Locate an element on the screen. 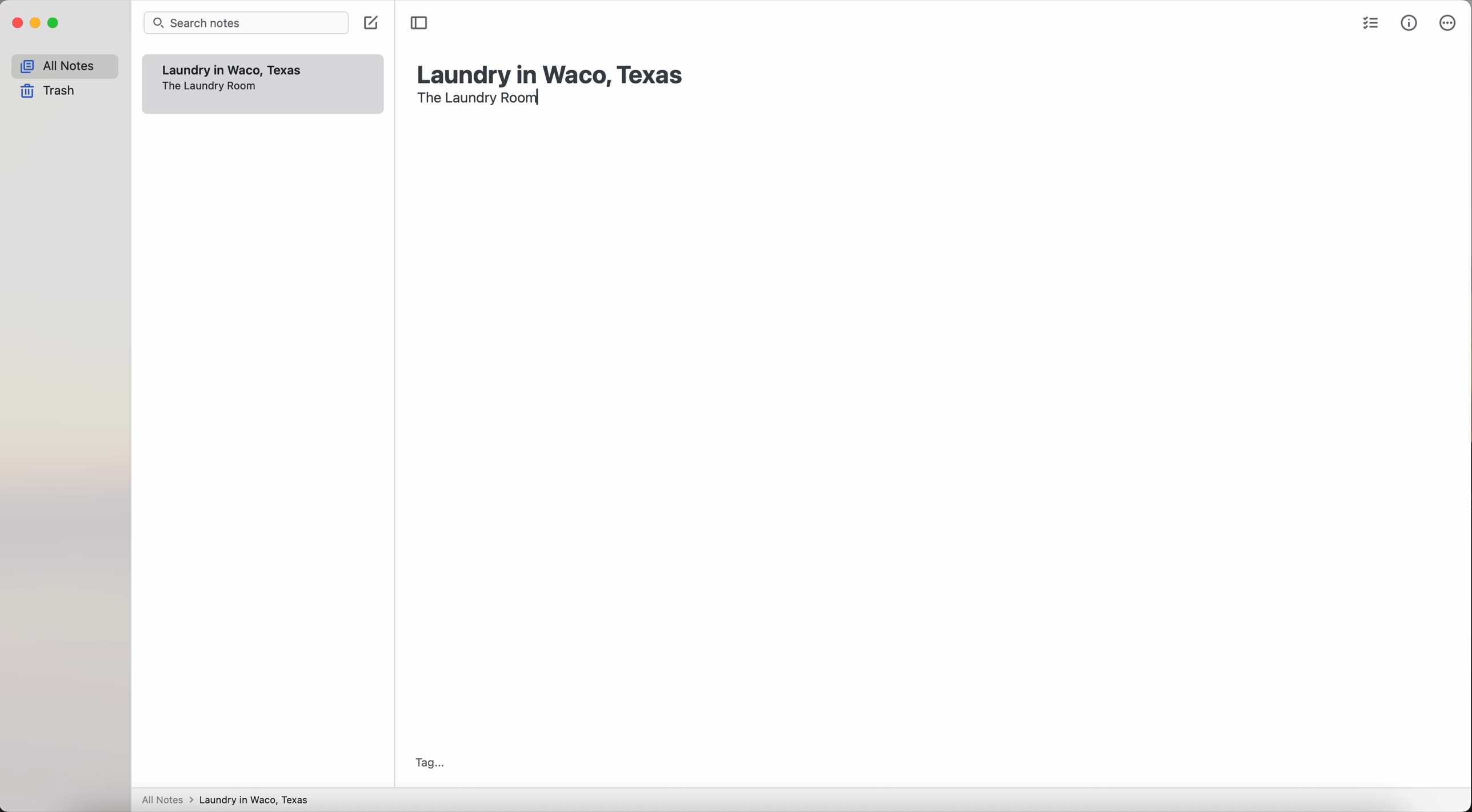  Laundry in Waco, Texas is located at coordinates (234, 70).